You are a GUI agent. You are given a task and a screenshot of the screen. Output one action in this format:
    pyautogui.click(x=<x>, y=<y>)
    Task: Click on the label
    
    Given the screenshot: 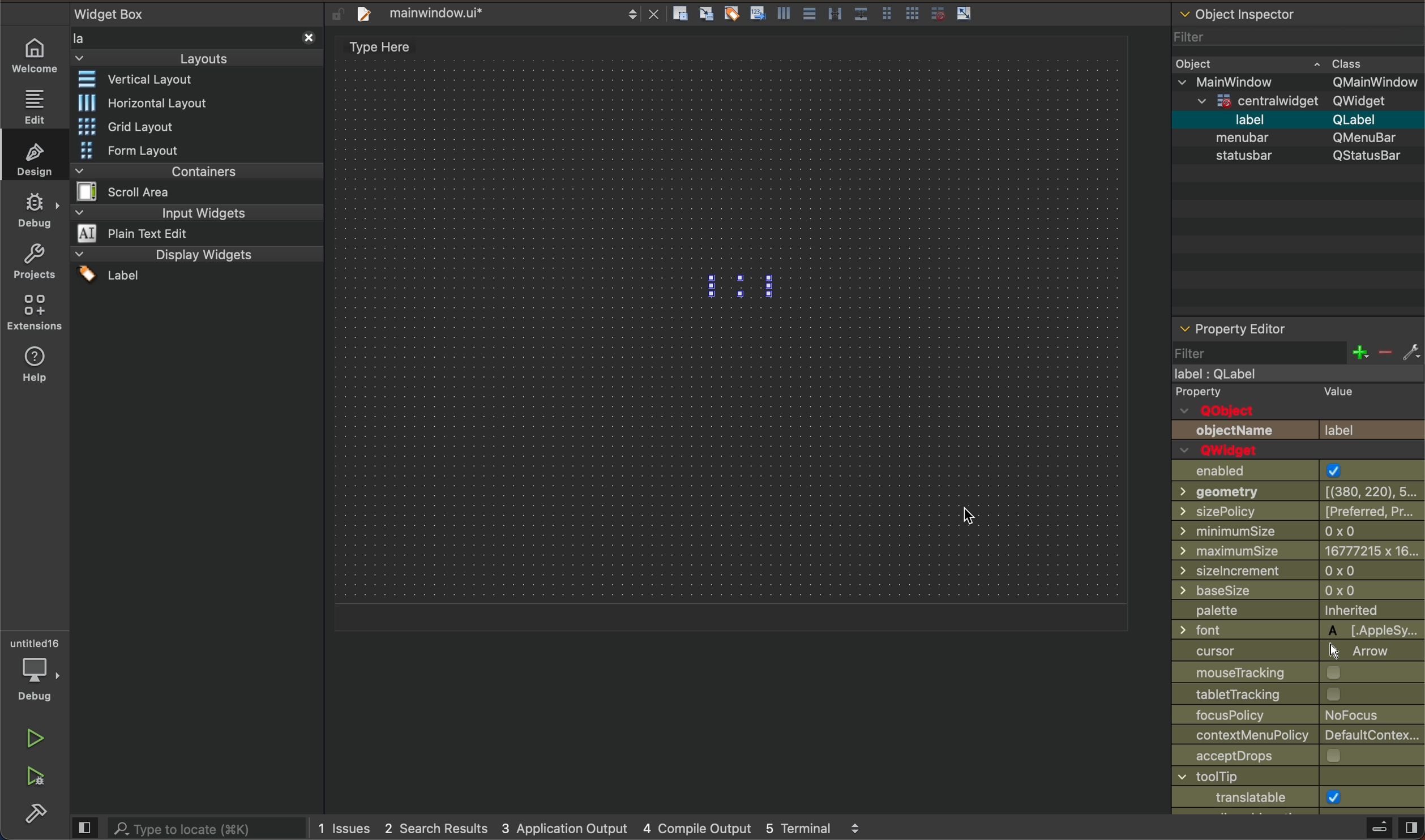 What is the action you would take?
    pyautogui.click(x=1300, y=121)
    